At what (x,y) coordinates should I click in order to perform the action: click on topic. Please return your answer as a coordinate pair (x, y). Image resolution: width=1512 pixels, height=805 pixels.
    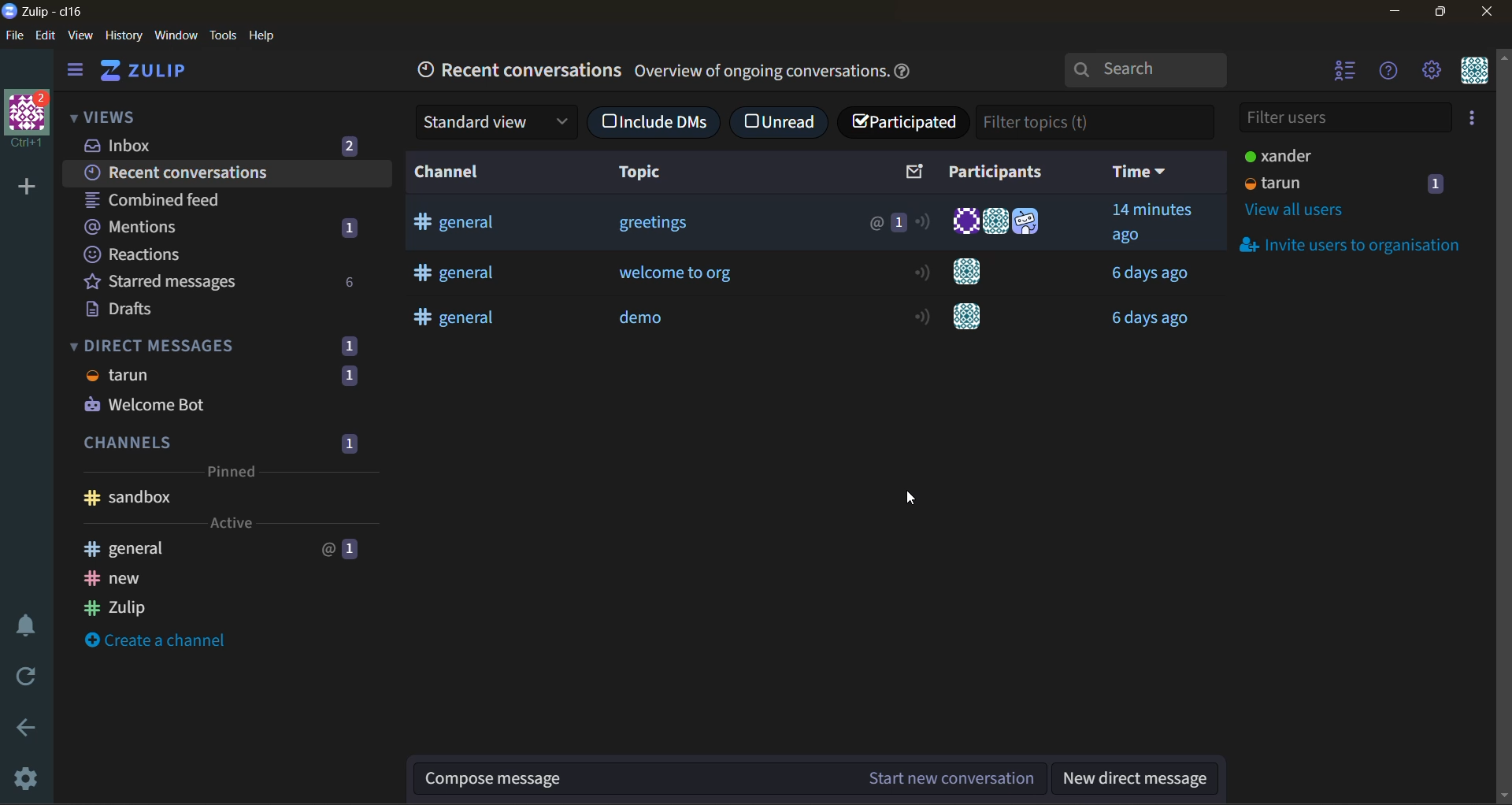
    Looking at the image, I should click on (643, 172).